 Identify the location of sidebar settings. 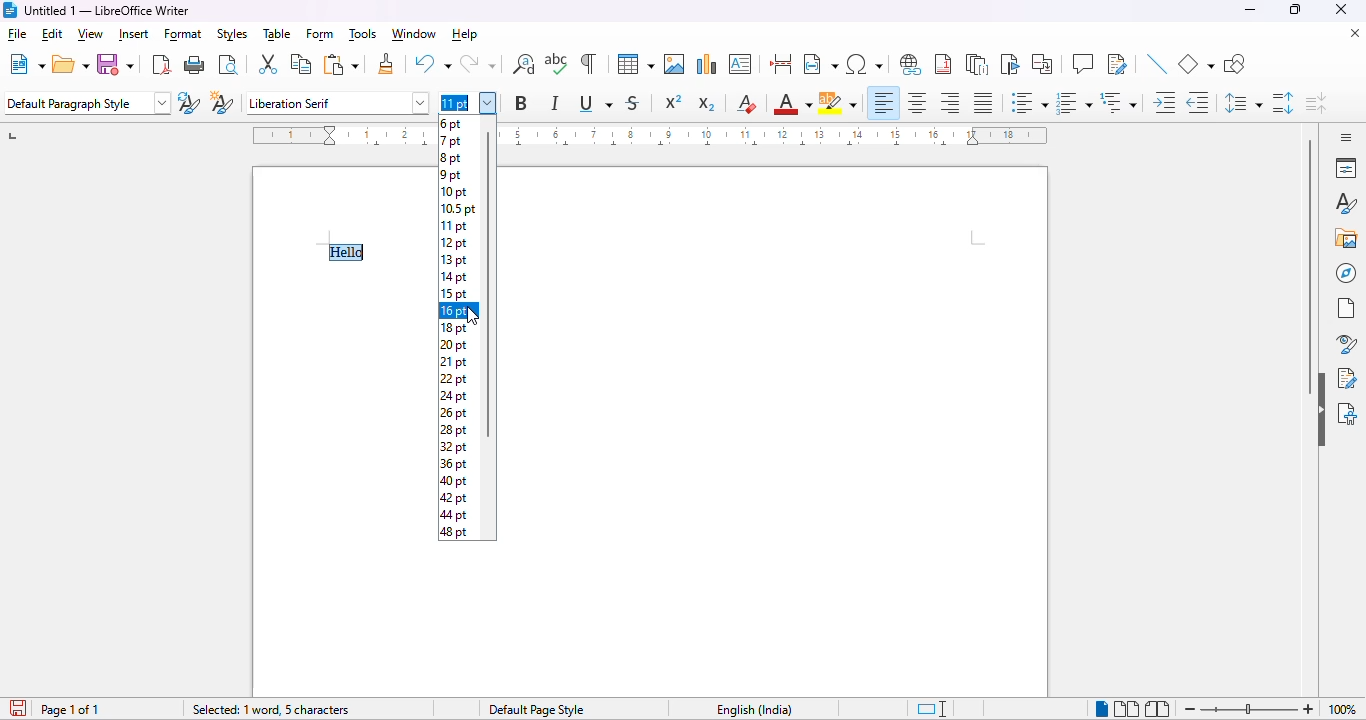
(1346, 137).